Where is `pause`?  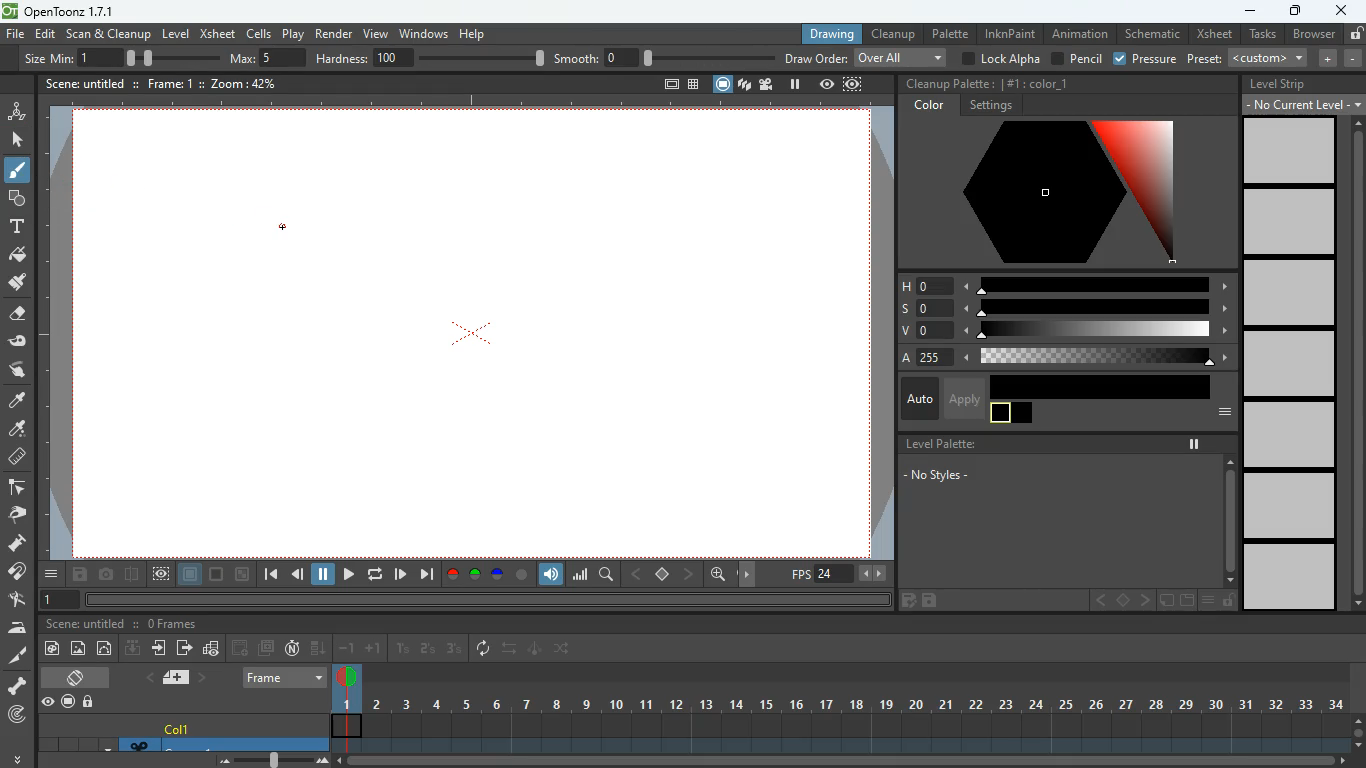
pause is located at coordinates (1194, 444).